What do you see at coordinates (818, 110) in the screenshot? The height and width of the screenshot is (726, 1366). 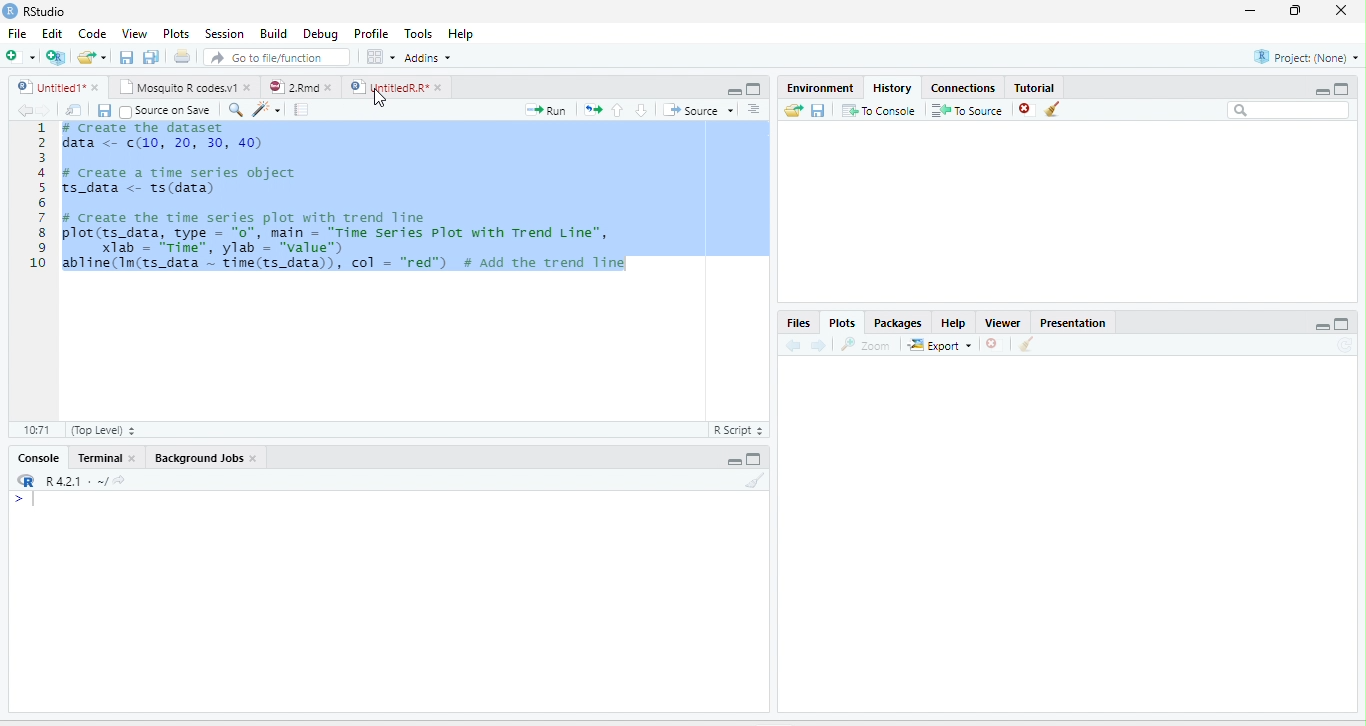 I see `Save history into a file` at bounding box center [818, 110].